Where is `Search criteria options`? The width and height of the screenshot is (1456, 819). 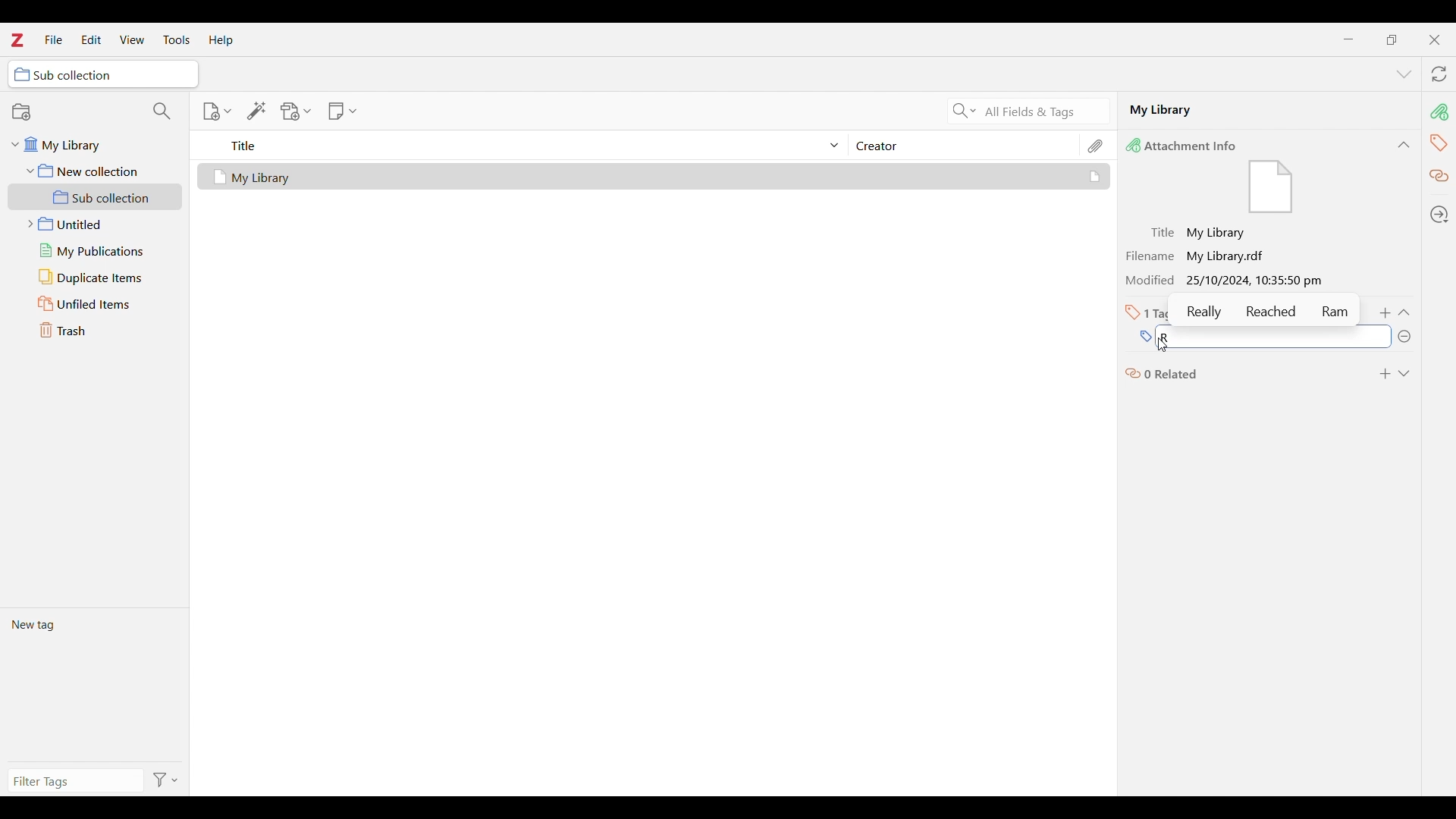 Search criteria options is located at coordinates (965, 110).